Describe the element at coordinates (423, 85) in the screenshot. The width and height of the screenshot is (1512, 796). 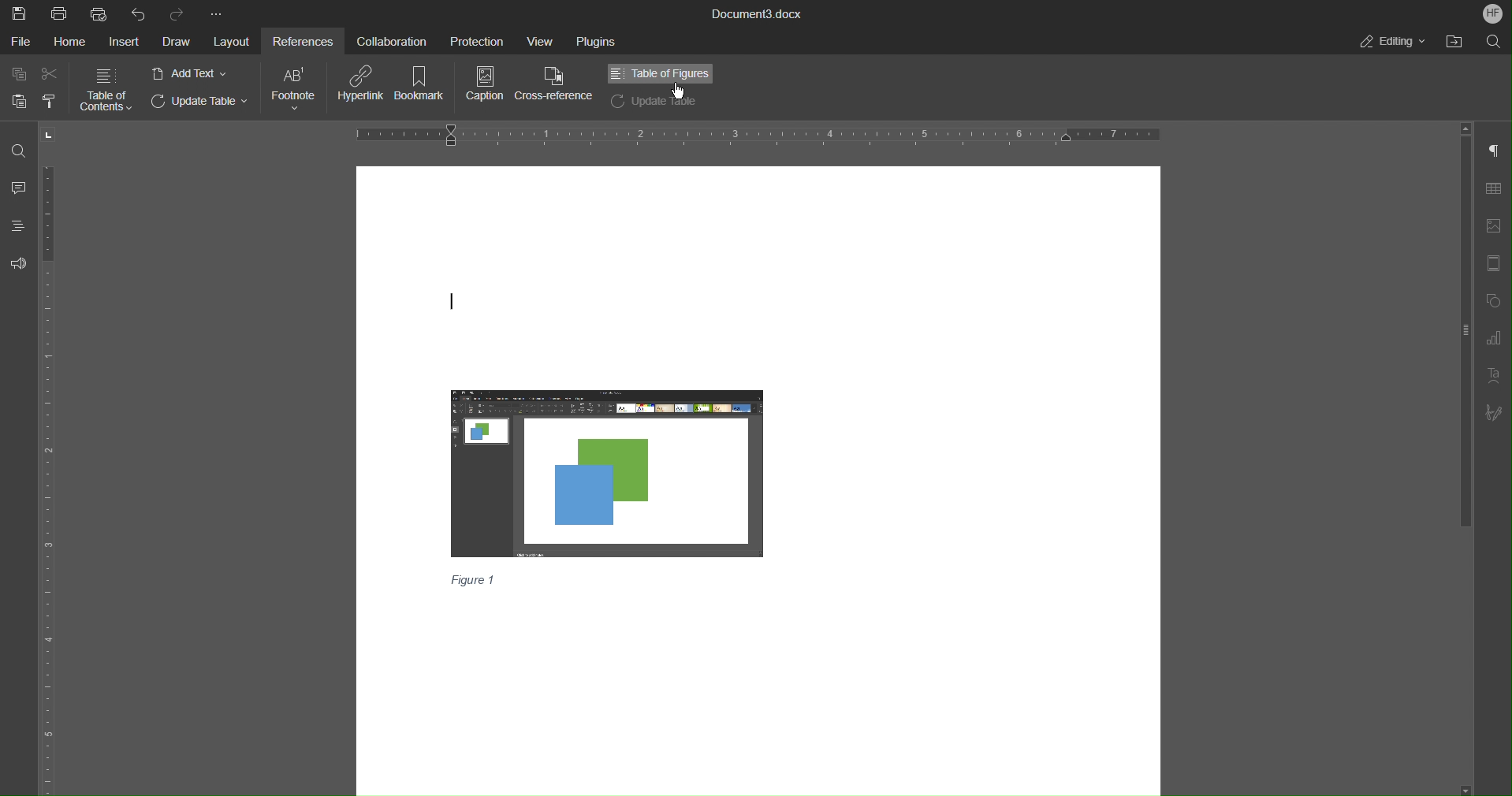
I see `Bookmark` at that location.